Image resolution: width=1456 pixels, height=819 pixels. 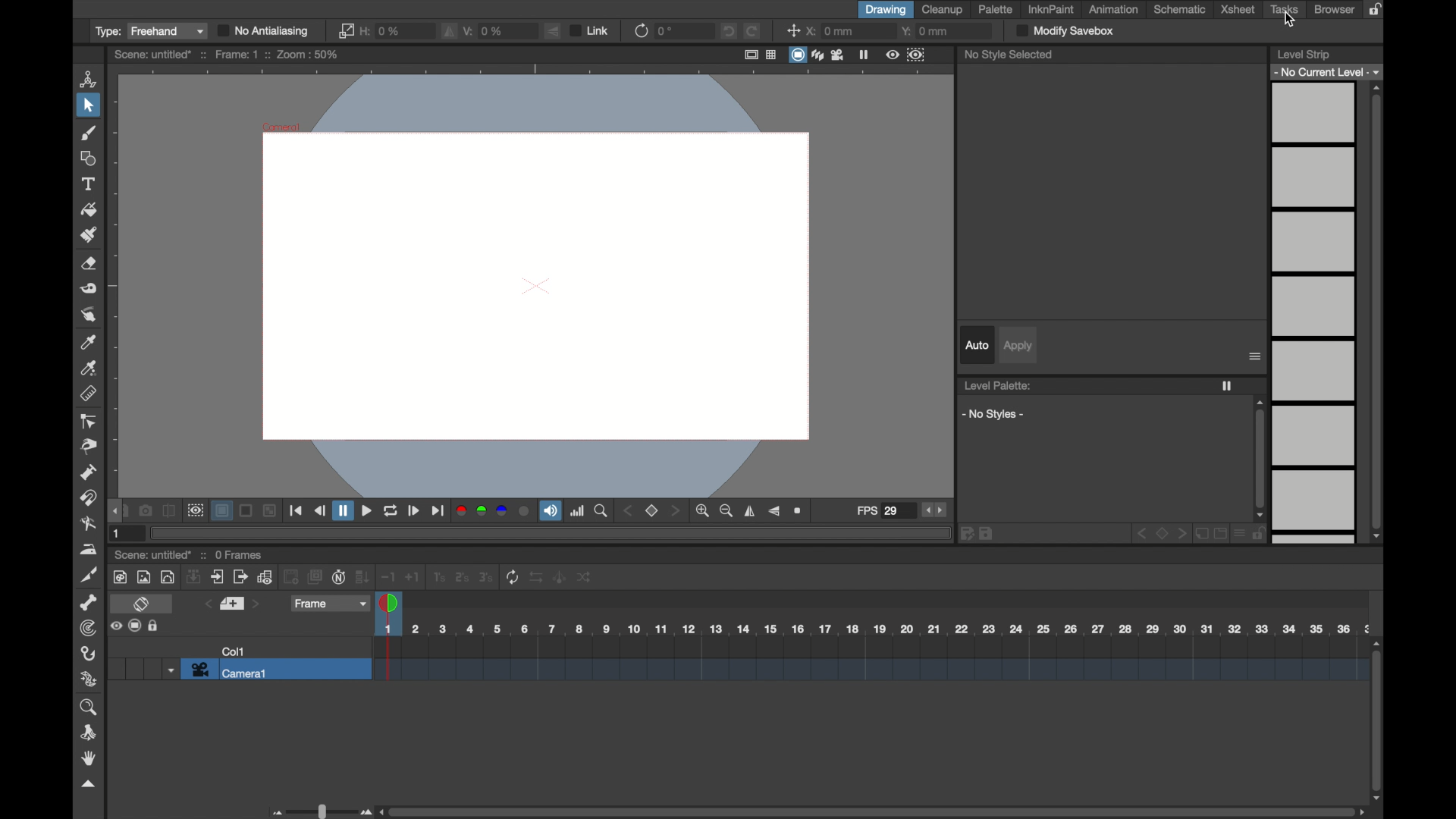 What do you see at coordinates (1180, 10) in the screenshot?
I see `schematic` at bounding box center [1180, 10].